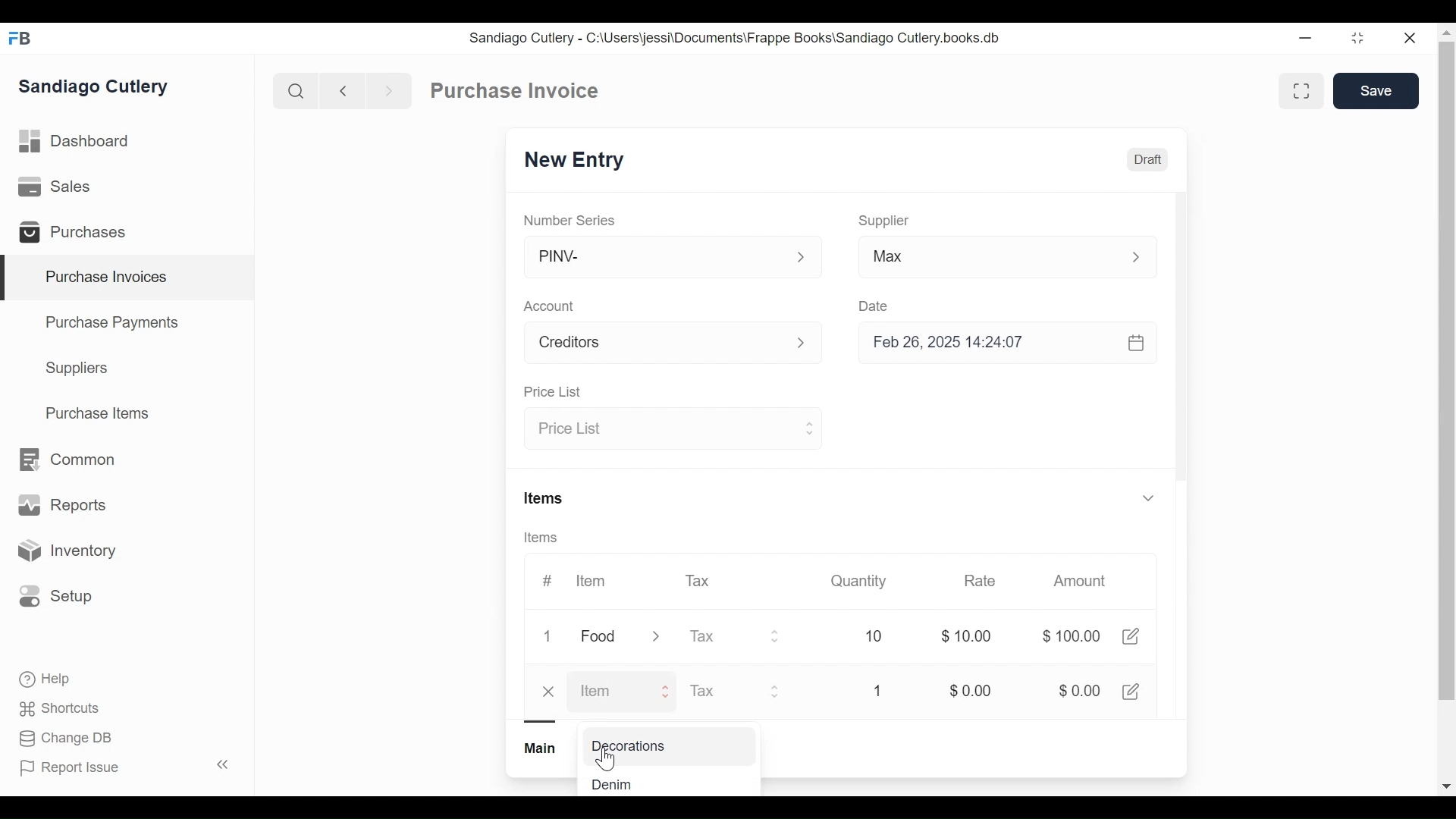 The image size is (1456, 819). What do you see at coordinates (981, 581) in the screenshot?
I see `Rate` at bounding box center [981, 581].